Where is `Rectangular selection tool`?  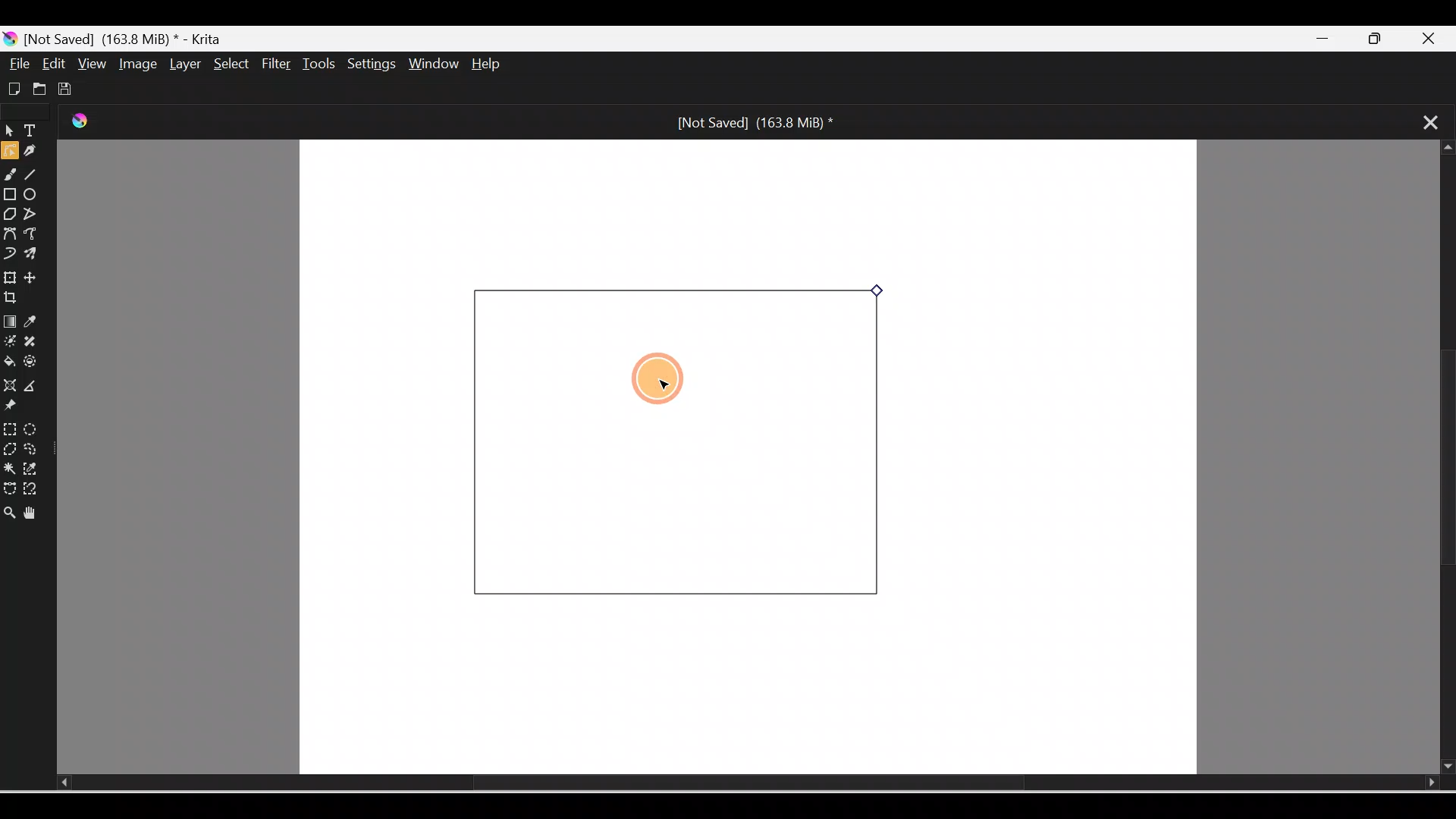
Rectangular selection tool is located at coordinates (9, 426).